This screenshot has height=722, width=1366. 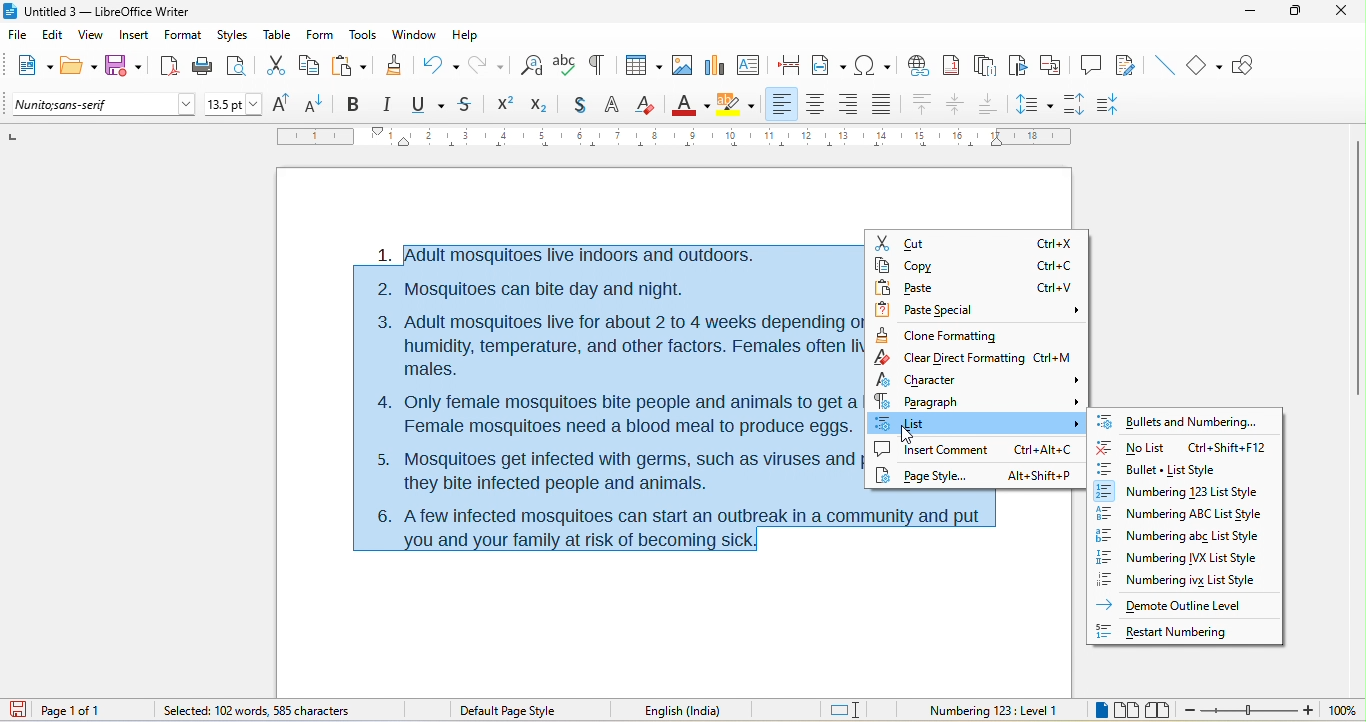 I want to click on form, so click(x=321, y=36).